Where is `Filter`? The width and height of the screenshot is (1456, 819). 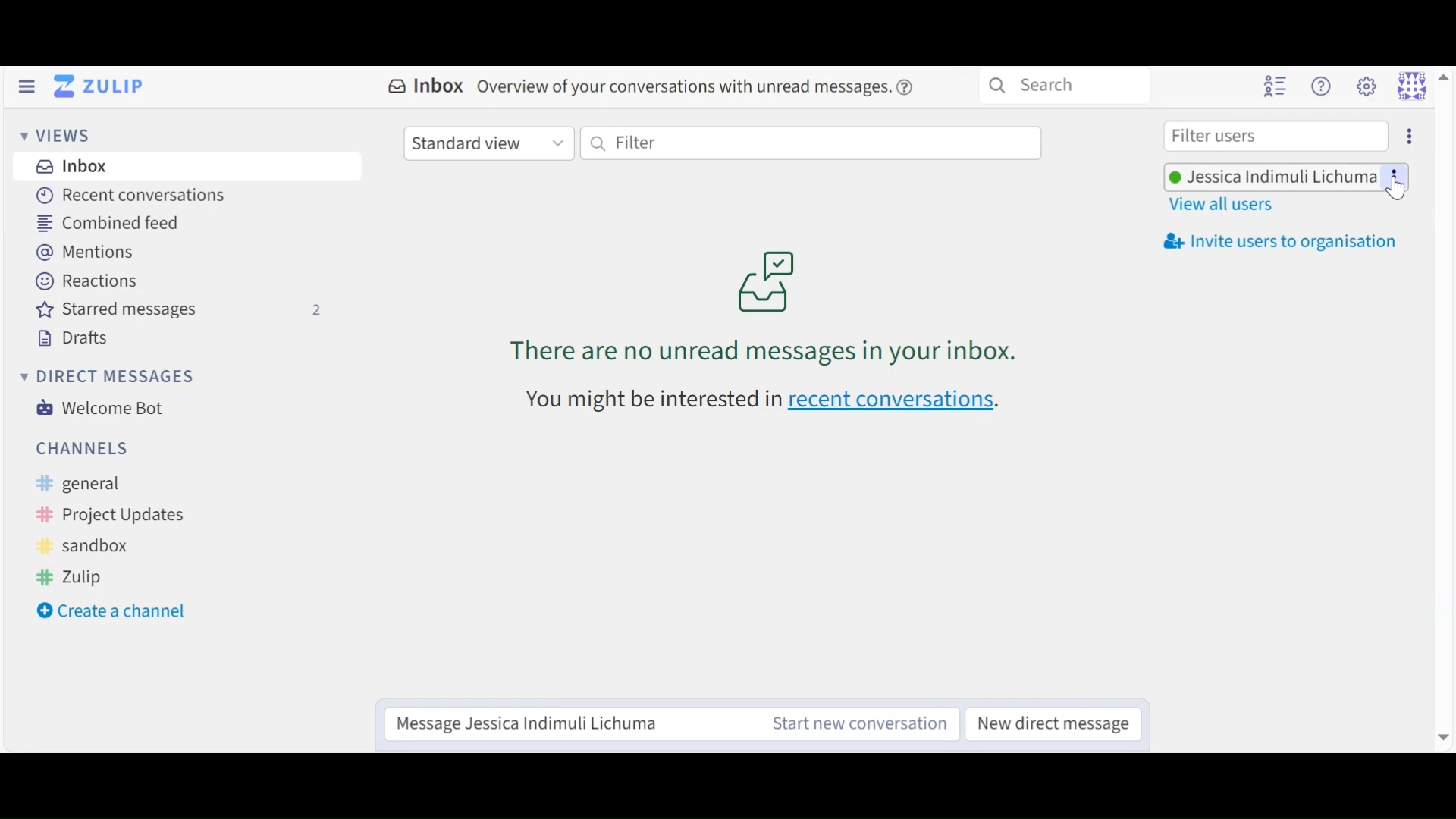
Filter is located at coordinates (809, 143).